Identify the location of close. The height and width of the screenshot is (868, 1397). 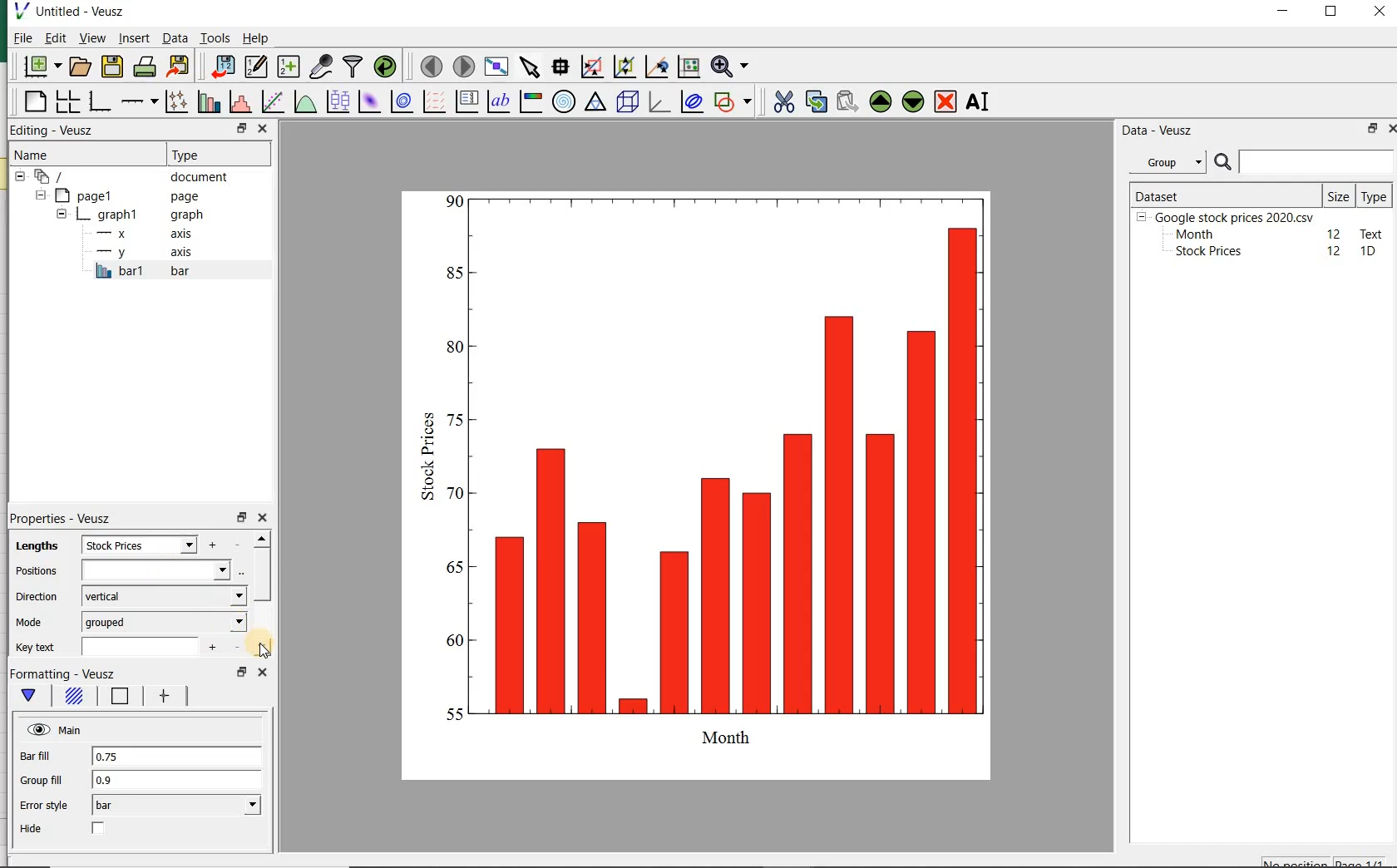
(1380, 12).